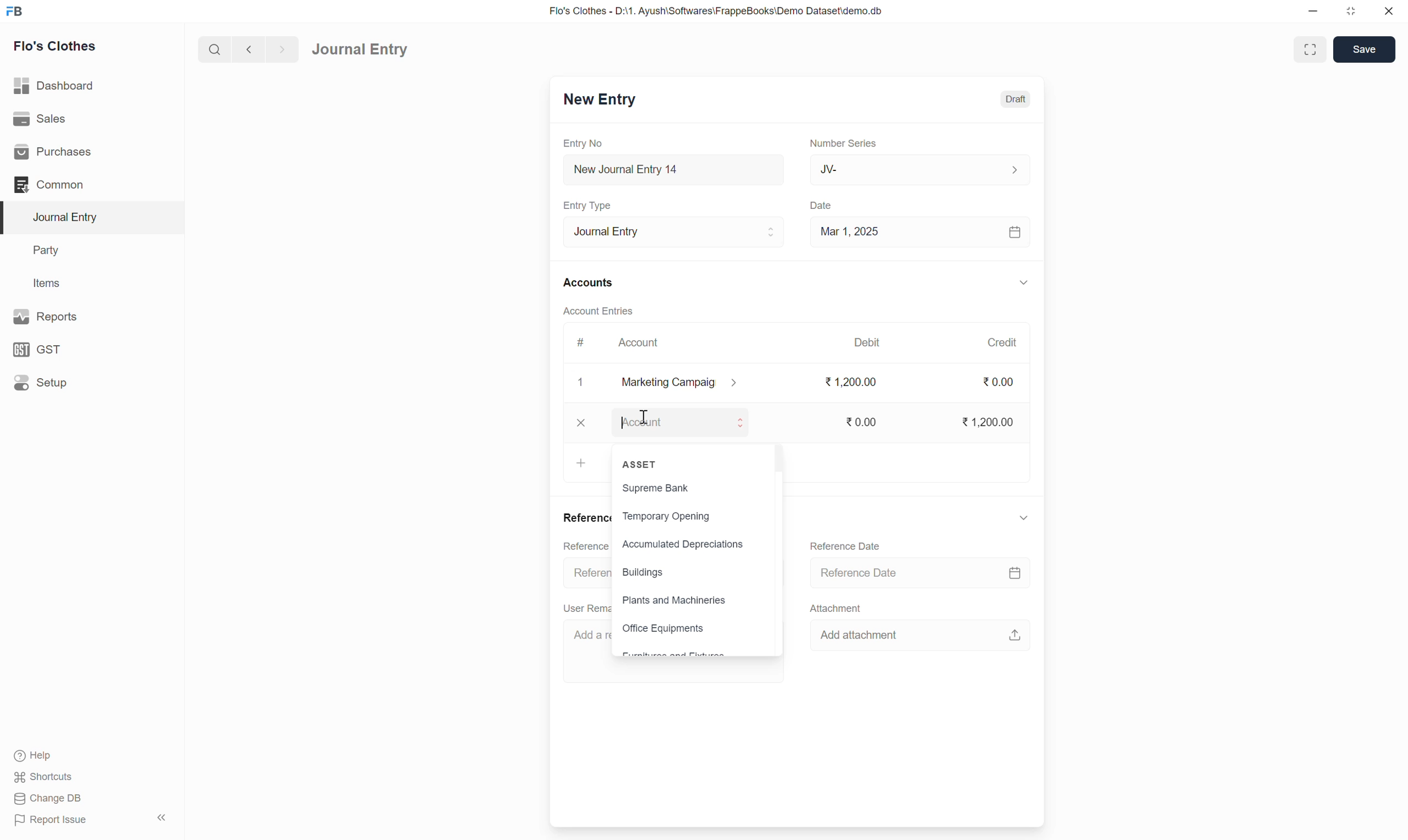  I want to click on 0.00, so click(999, 382).